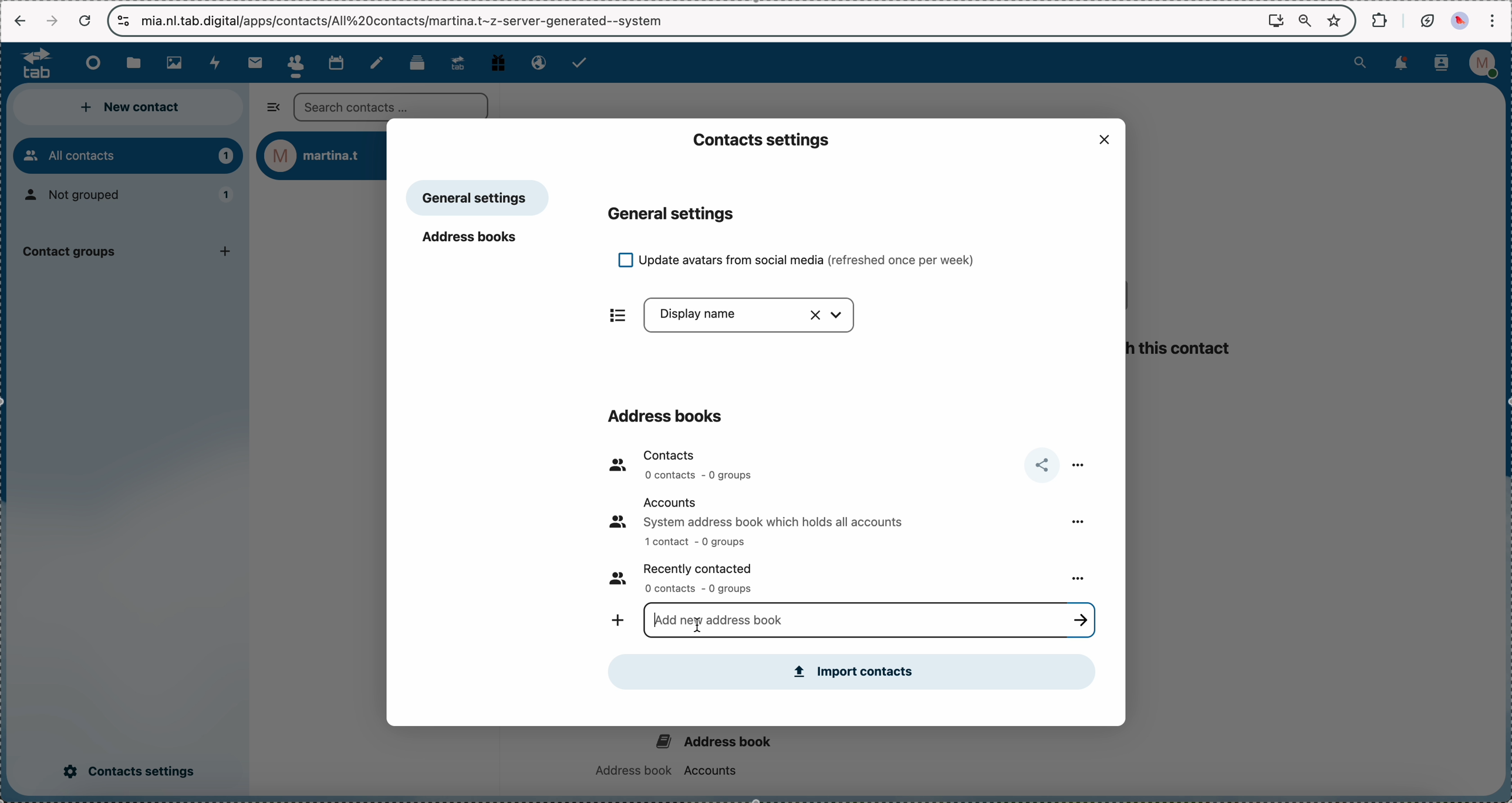  Describe the element at coordinates (535, 62) in the screenshot. I see `email` at that location.